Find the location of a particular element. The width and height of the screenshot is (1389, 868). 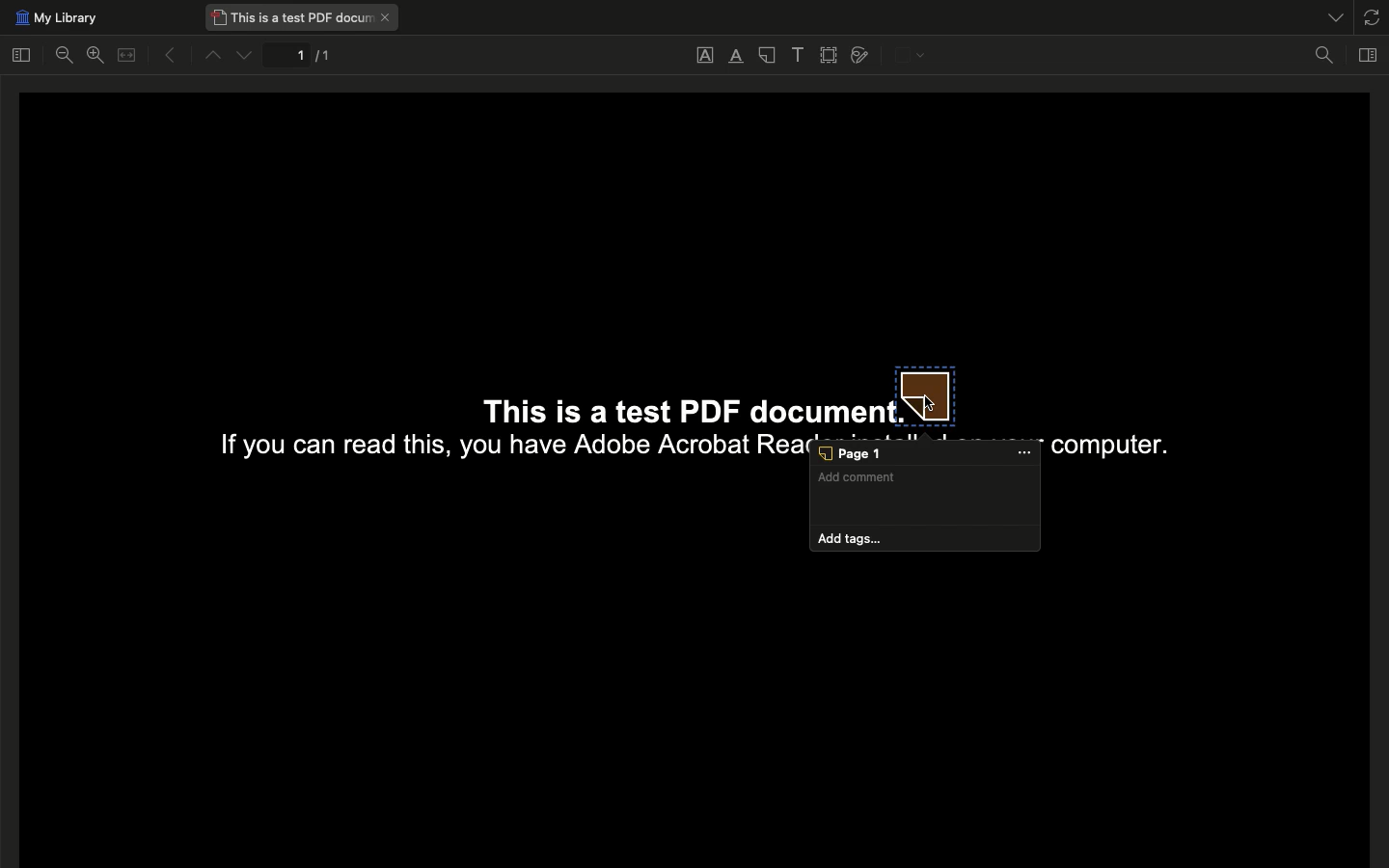

Add tags is located at coordinates (926, 539).